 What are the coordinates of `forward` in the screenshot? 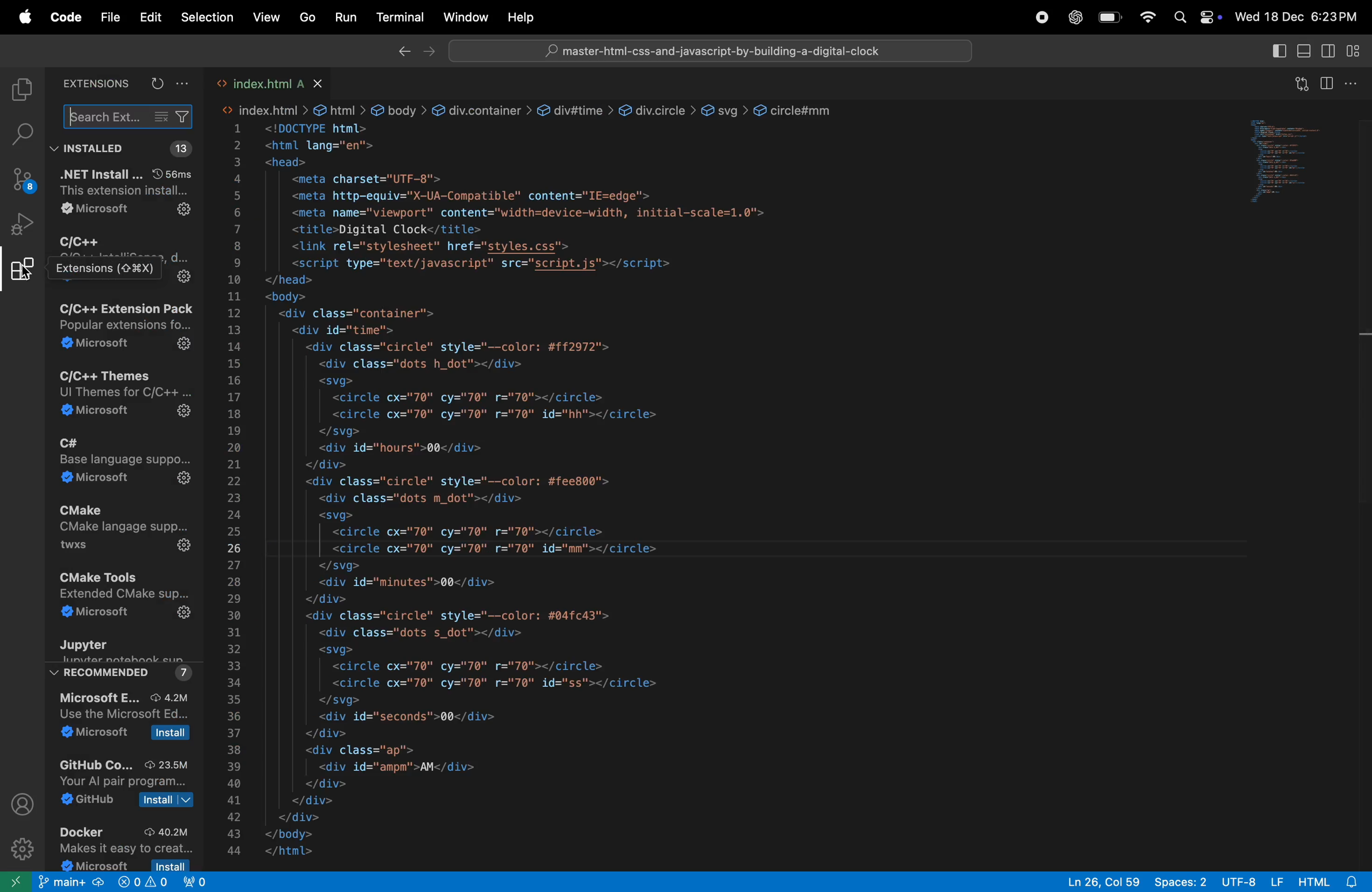 It's located at (428, 52).